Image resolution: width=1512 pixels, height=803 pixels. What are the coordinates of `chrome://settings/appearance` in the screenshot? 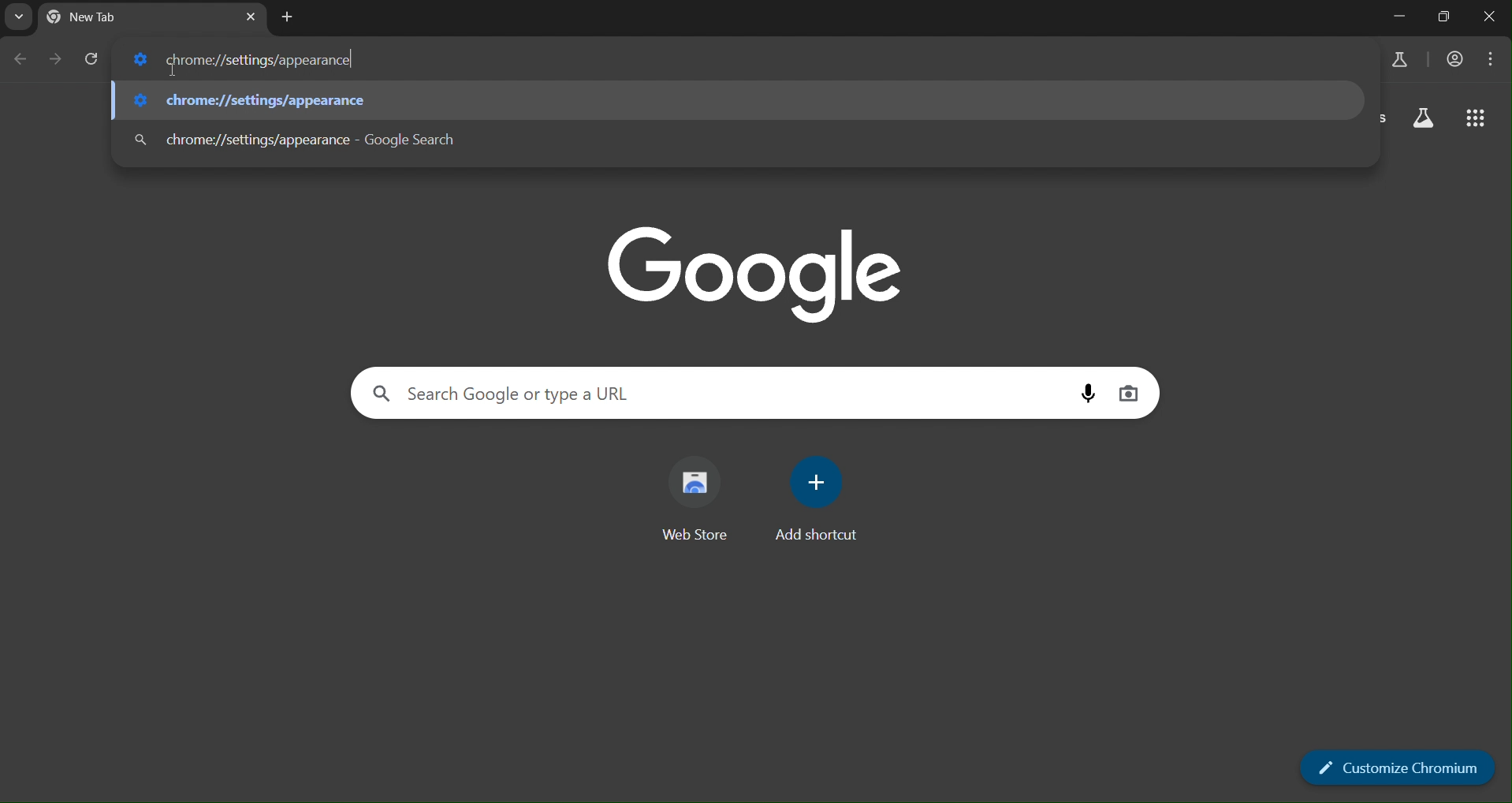 It's located at (266, 99).